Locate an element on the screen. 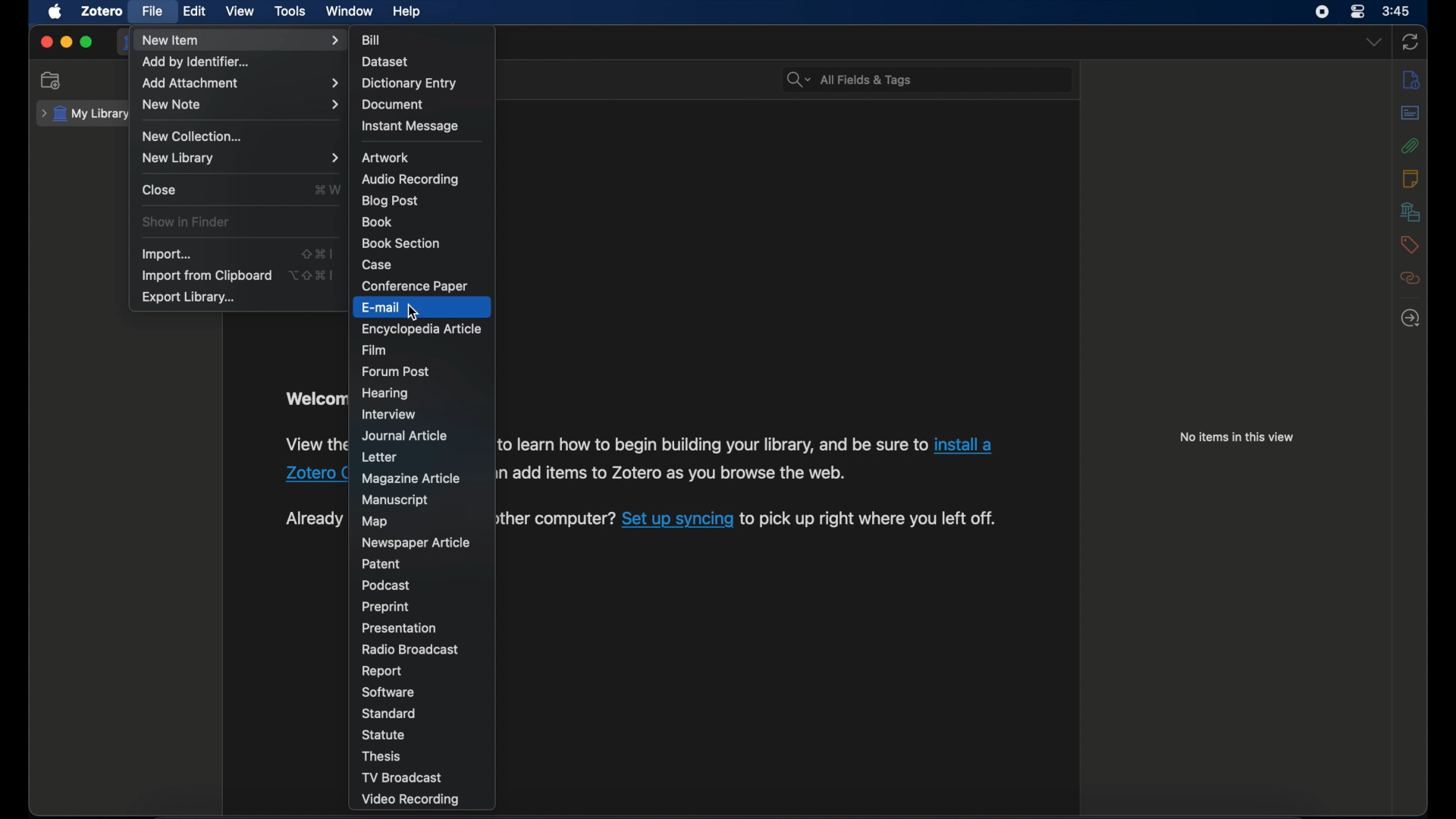 The image size is (1456, 819). export library is located at coordinates (187, 298).